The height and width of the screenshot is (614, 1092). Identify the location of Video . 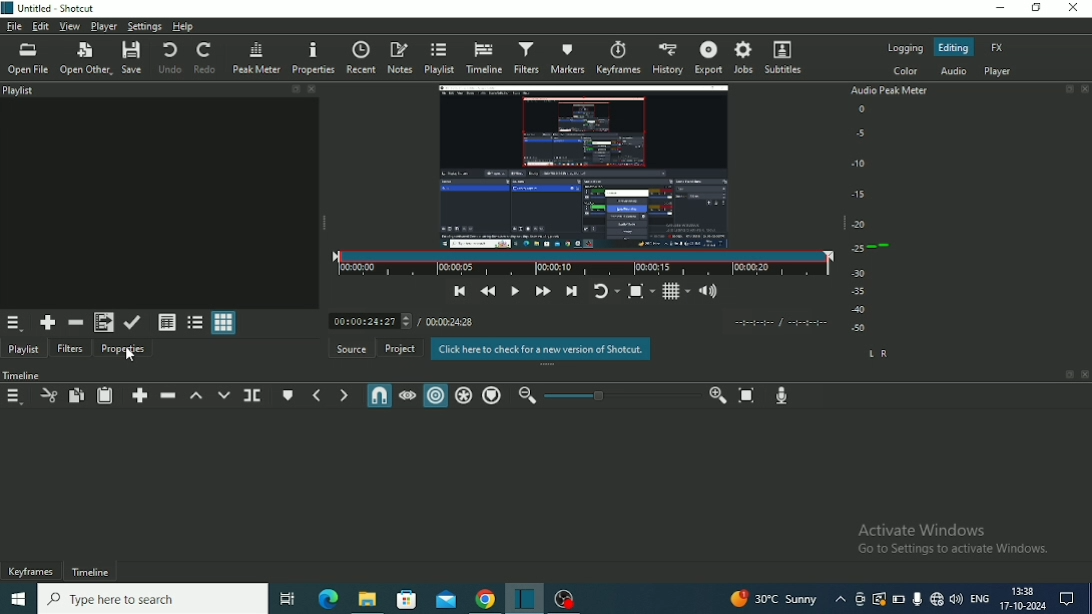
(584, 166).